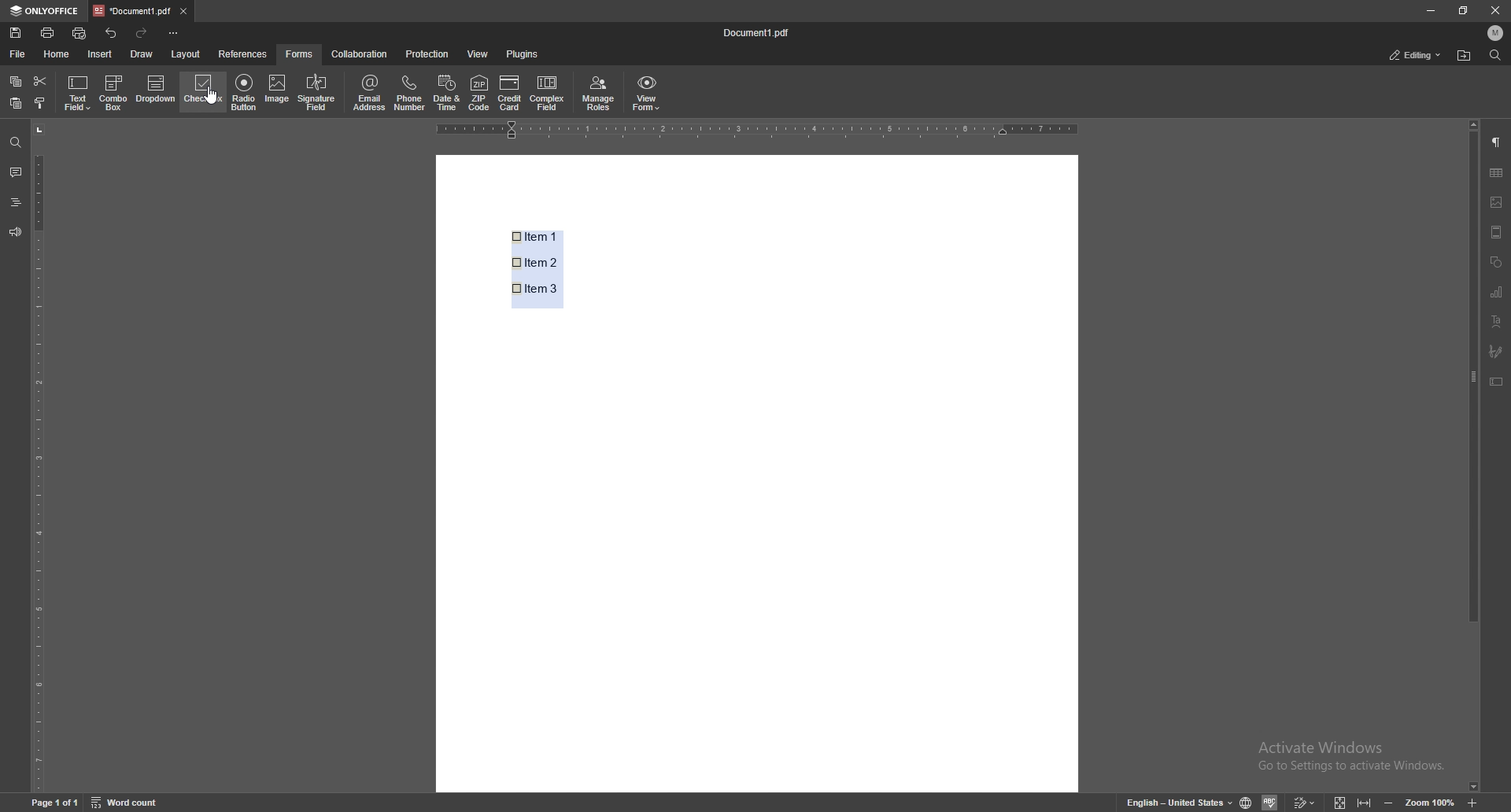 This screenshot has width=1511, height=812. What do you see at coordinates (279, 91) in the screenshot?
I see `image` at bounding box center [279, 91].